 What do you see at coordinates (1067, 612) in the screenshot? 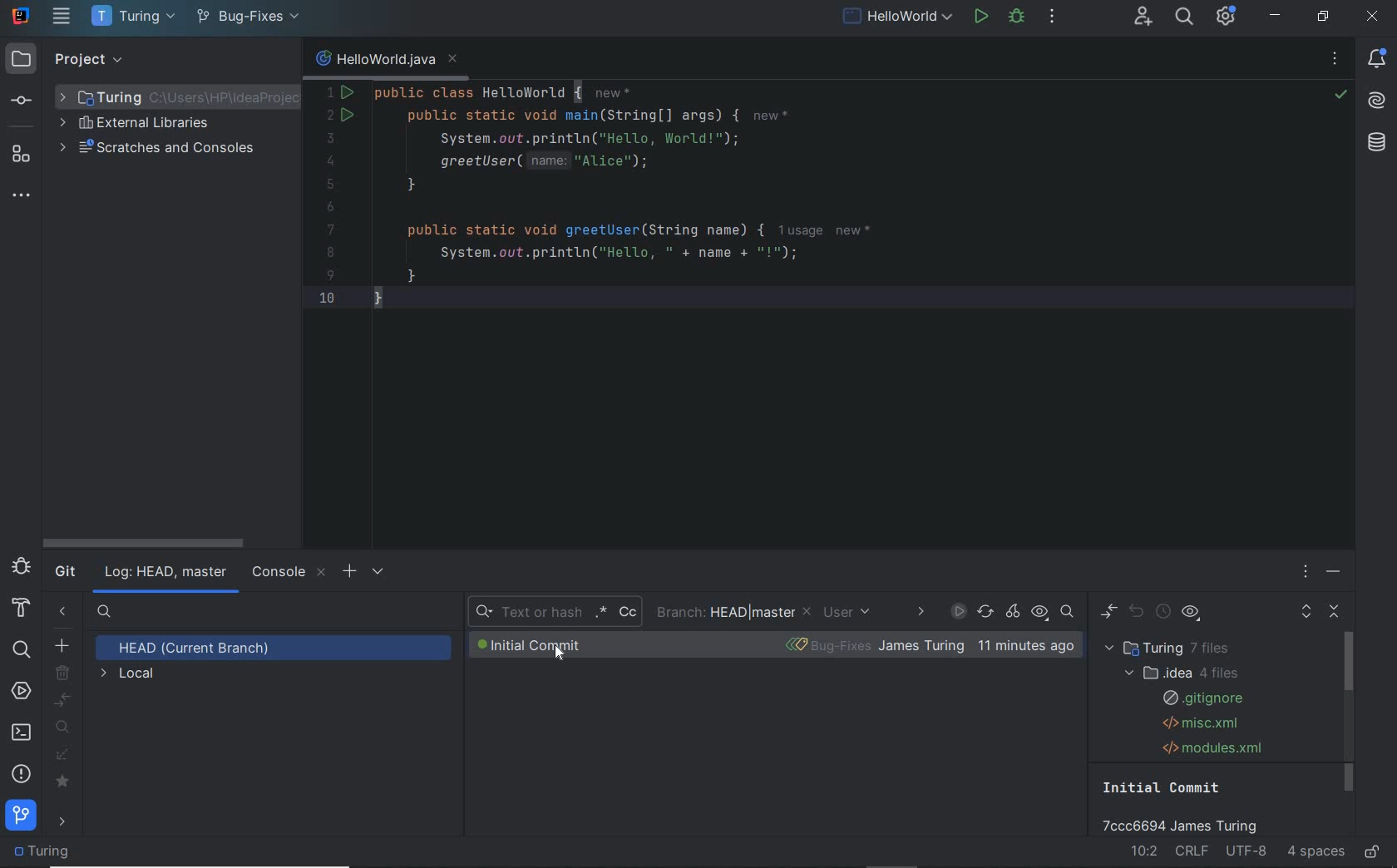
I see `go to hash/branch` at bounding box center [1067, 612].